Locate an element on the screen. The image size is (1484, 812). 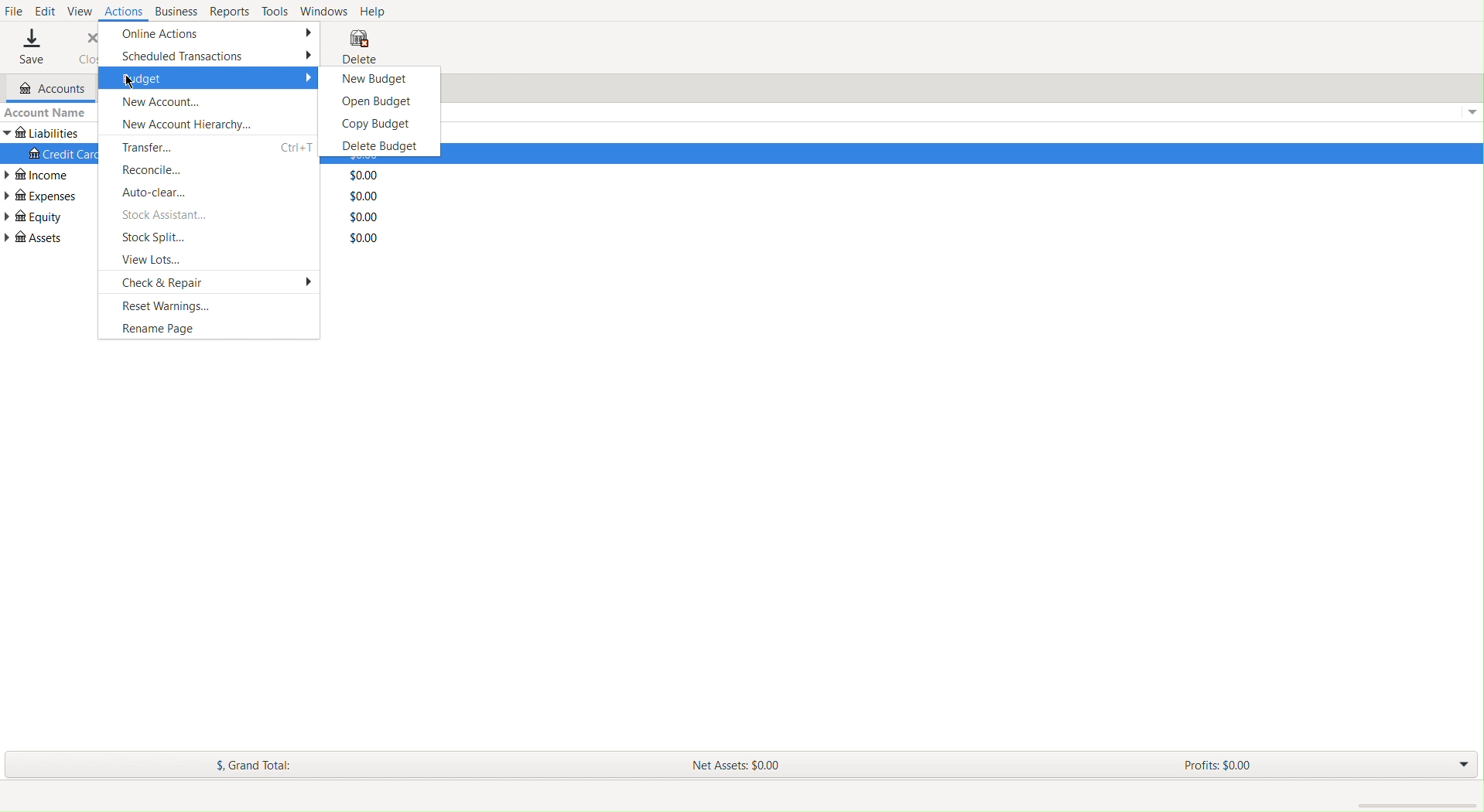
Drop Down is located at coordinates (1459, 766).